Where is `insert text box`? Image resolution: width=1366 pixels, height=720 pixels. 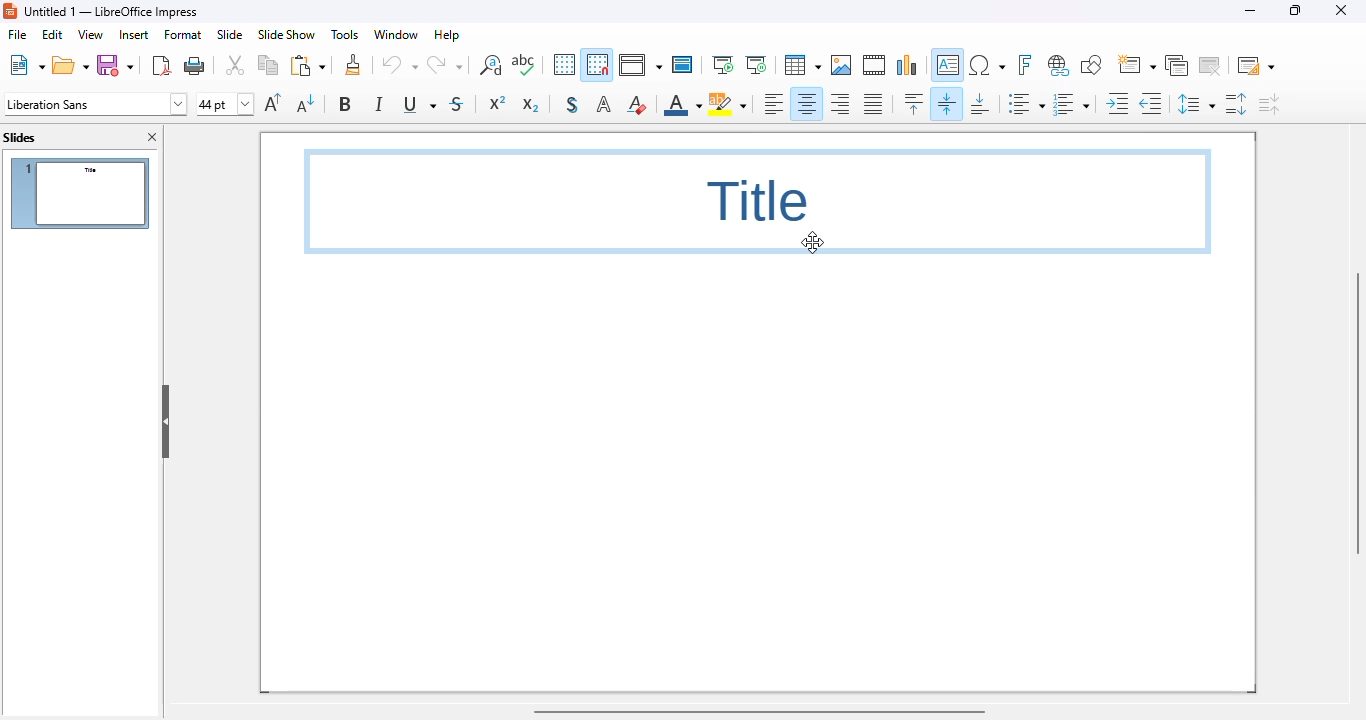 insert text box is located at coordinates (948, 65).